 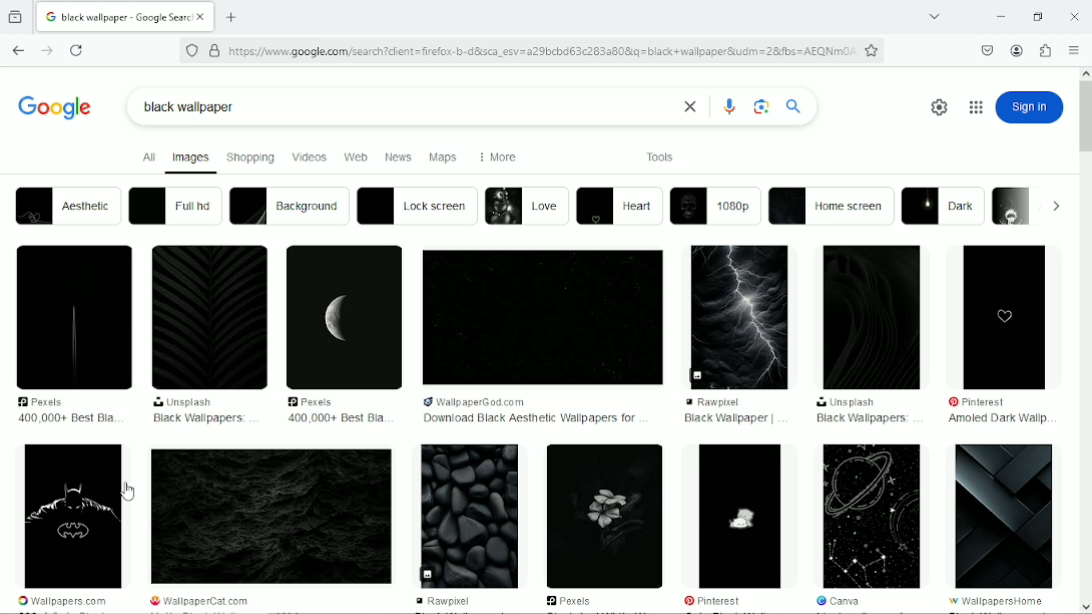 I want to click on sign in, so click(x=1030, y=107).